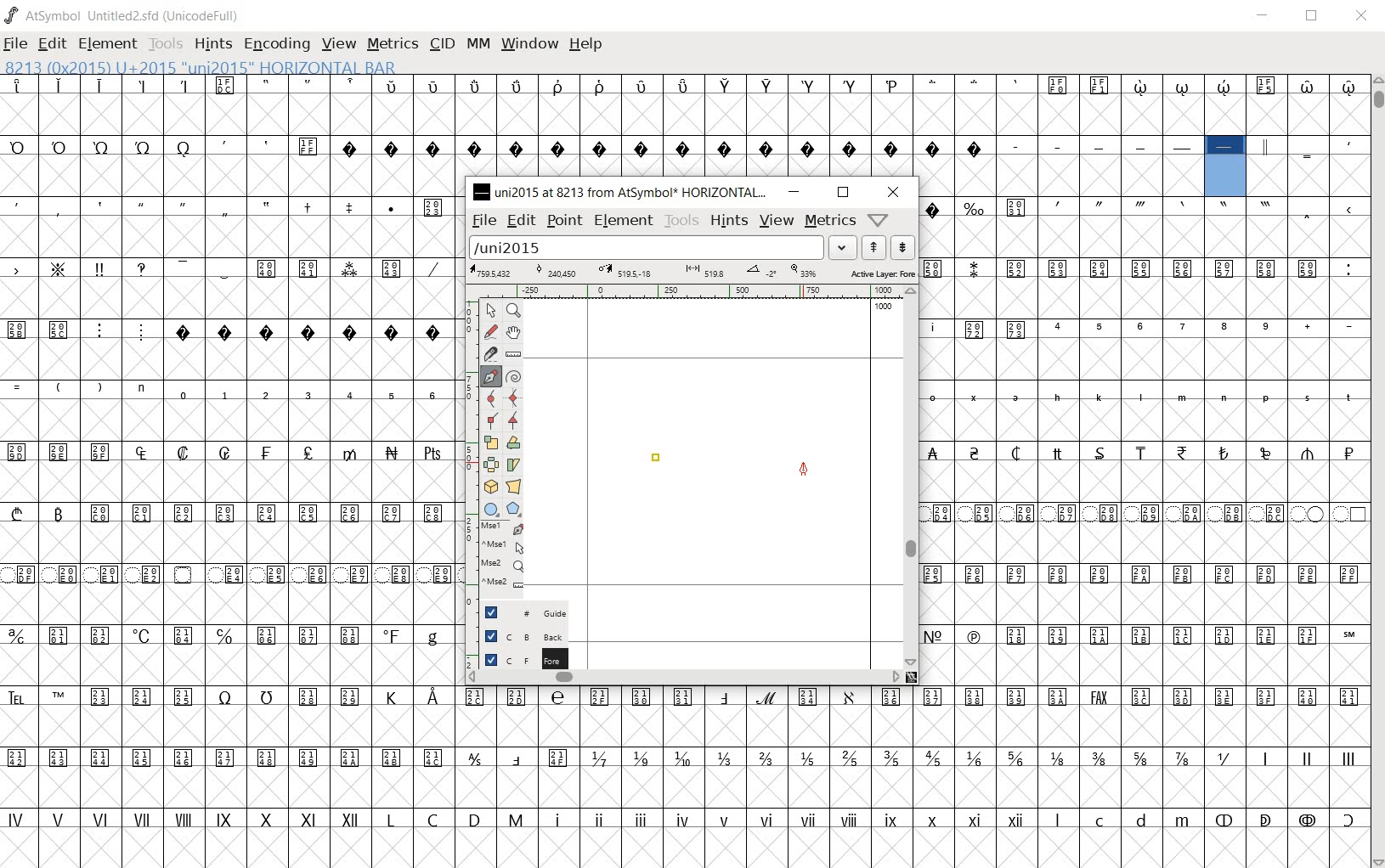 This screenshot has height=868, width=1385. I want to click on METRICS, so click(395, 45).